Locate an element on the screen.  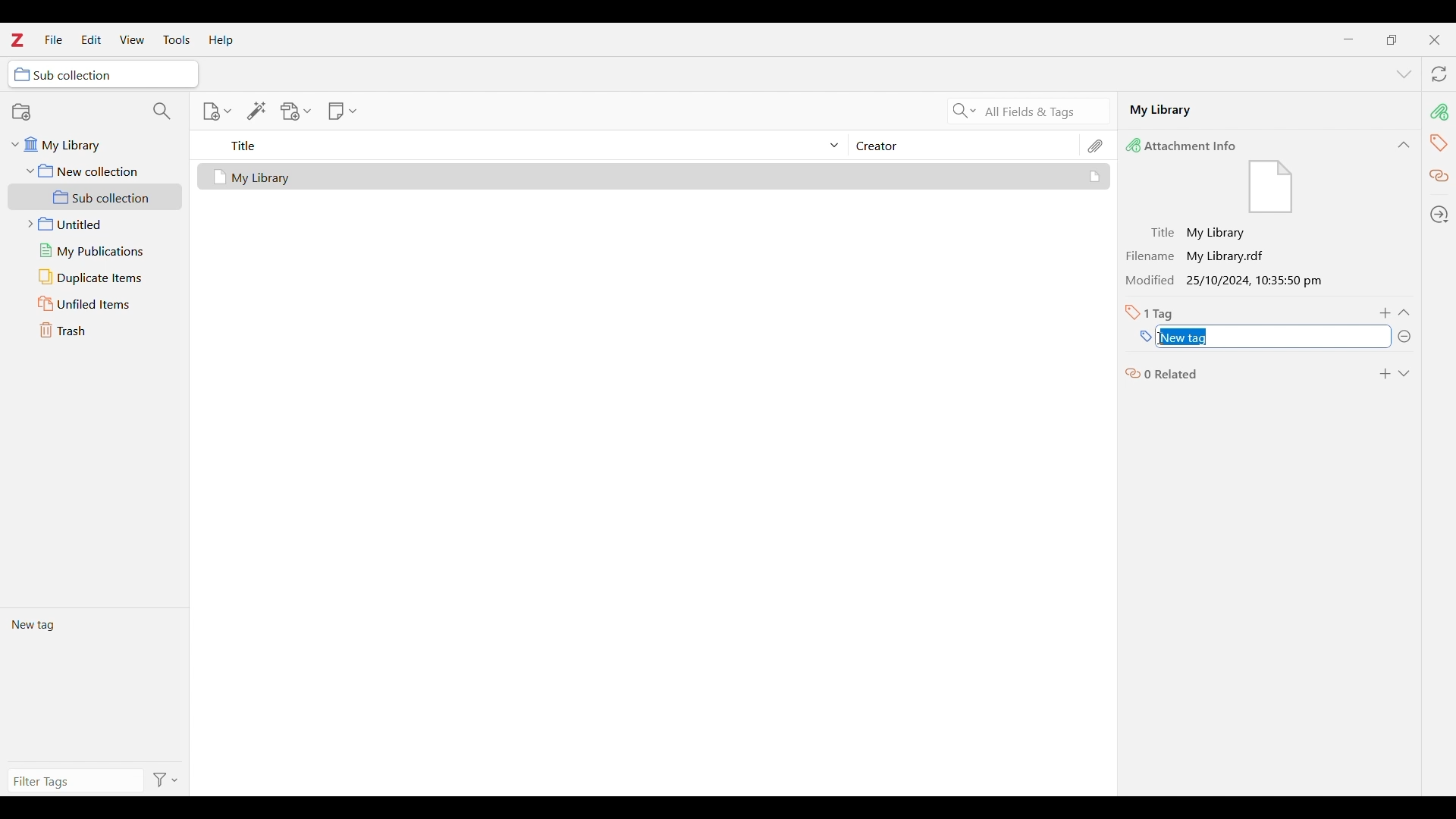
View menu is located at coordinates (133, 39).